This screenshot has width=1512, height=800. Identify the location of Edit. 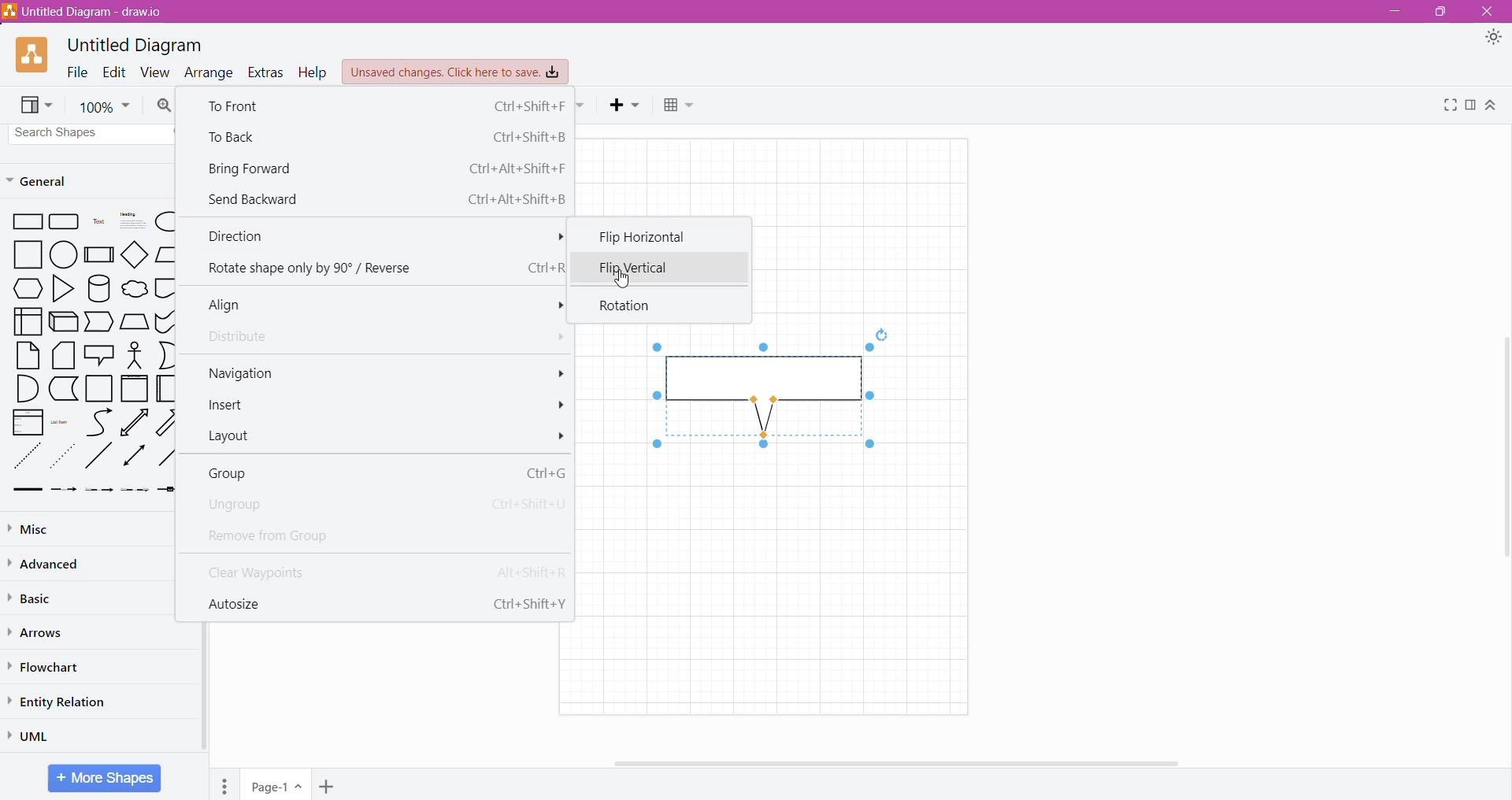
(114, 72).